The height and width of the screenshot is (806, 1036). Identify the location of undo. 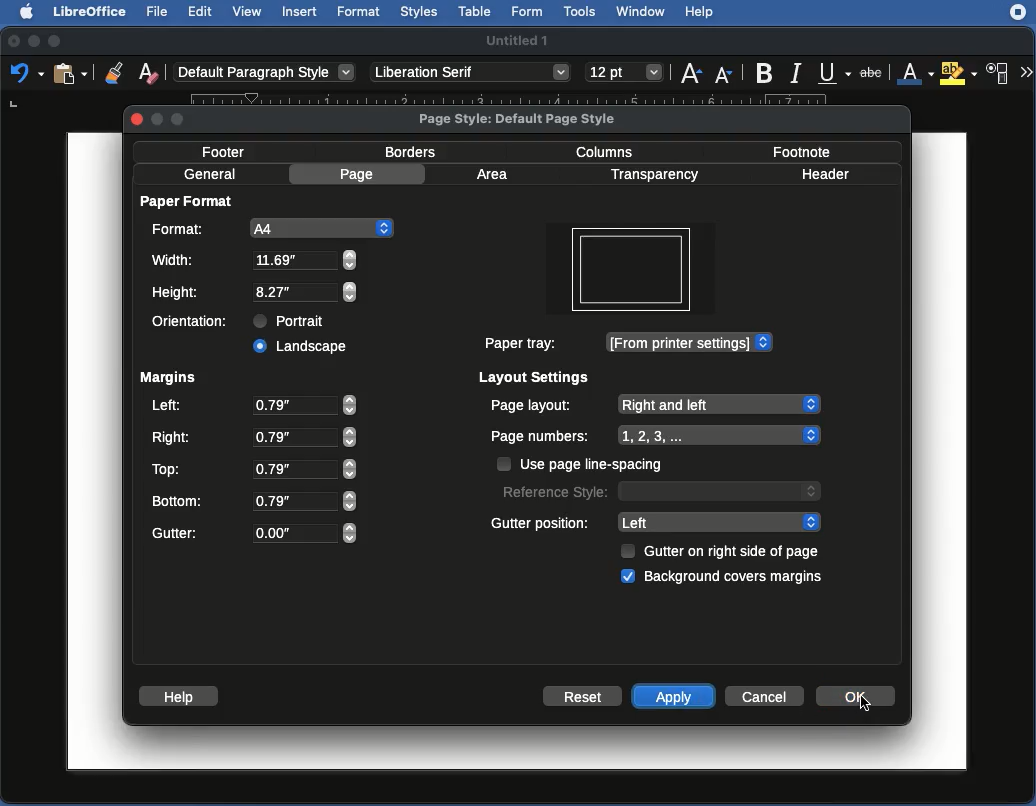
(23, 77).